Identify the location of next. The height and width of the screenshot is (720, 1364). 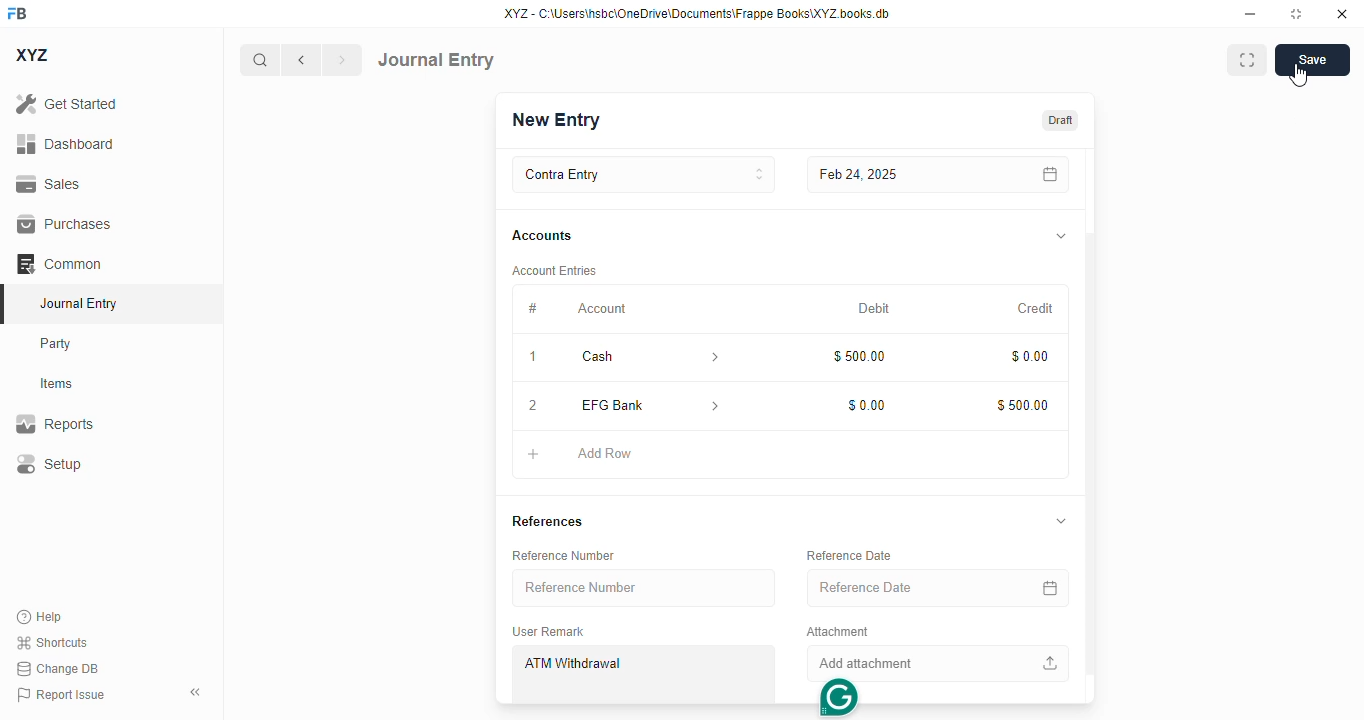
(343, 60).